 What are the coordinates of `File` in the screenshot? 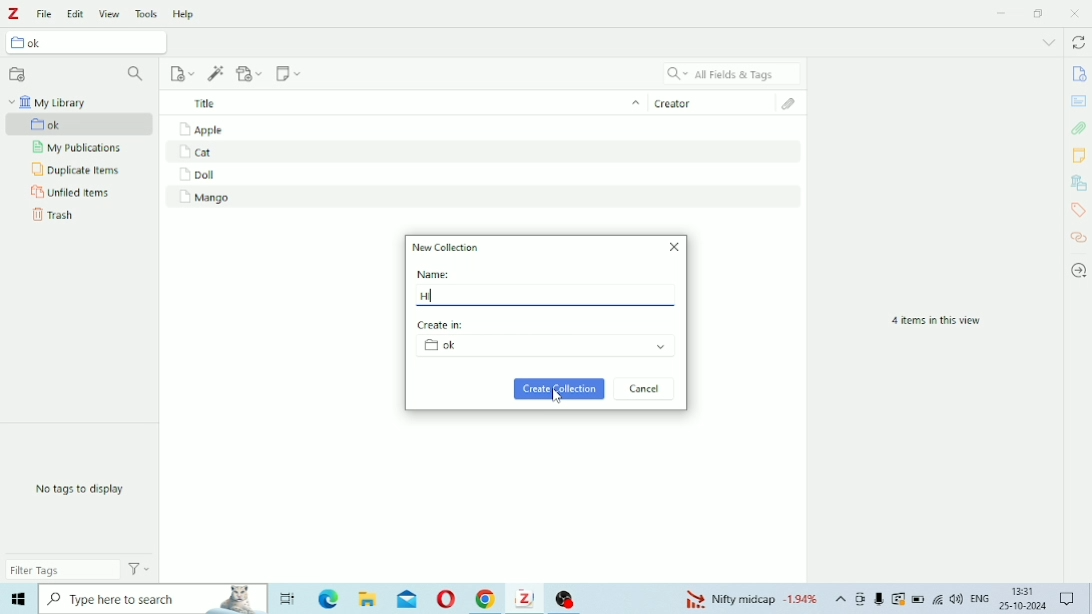 It's located at (45, 14).